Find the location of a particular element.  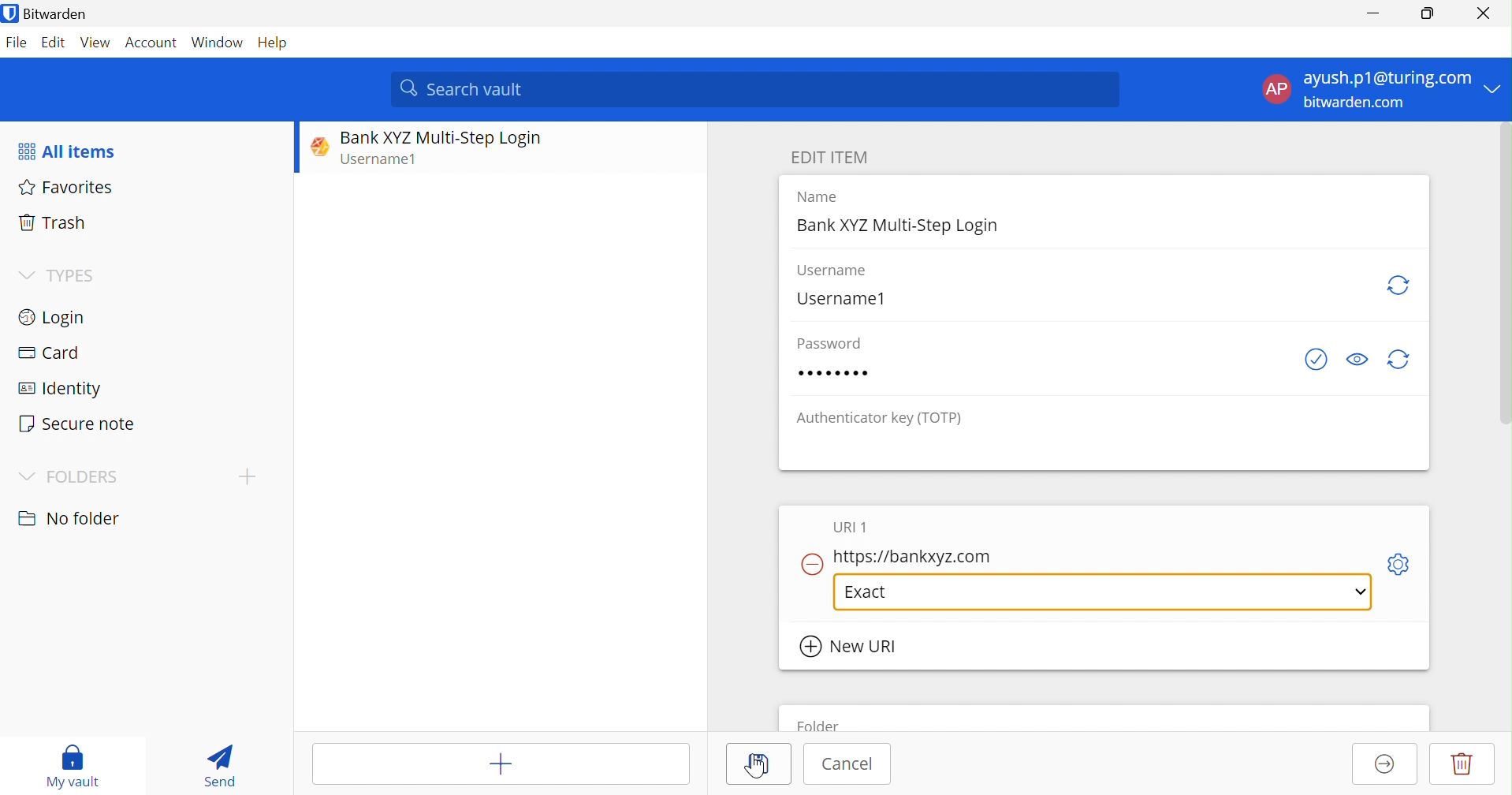

Website logo is located at coordinates (315, 146).